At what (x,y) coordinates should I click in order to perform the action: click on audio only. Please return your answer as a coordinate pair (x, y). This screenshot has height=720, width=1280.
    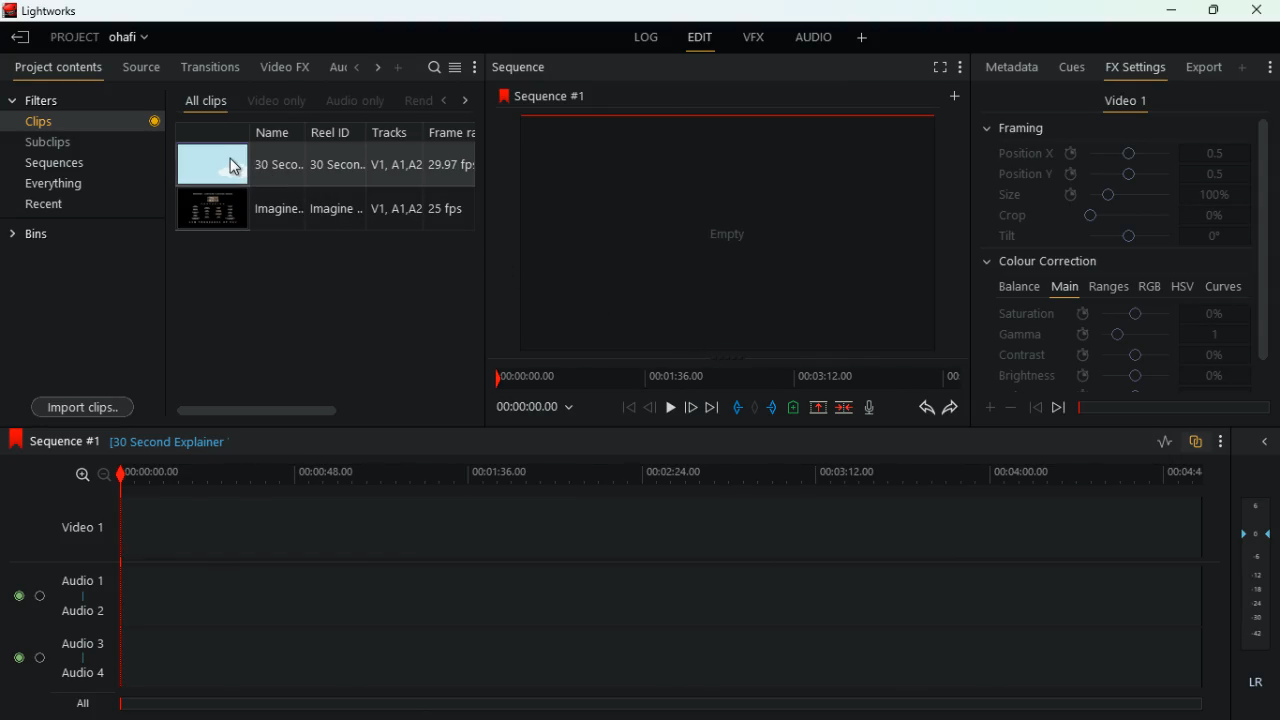
    Looking at the image, I should click on (354, 102).